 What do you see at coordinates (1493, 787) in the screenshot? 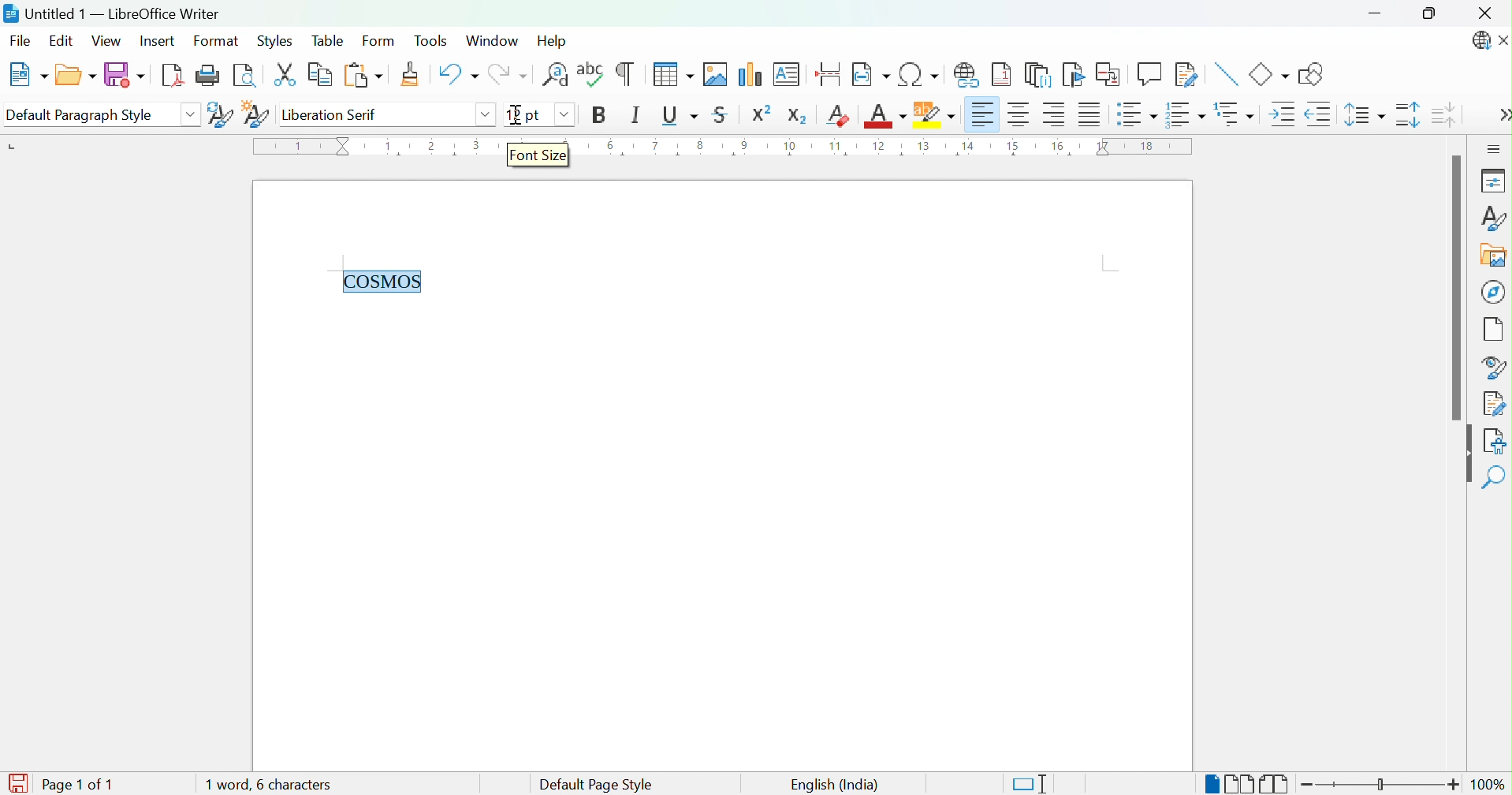
I see `100%` at bounding box center [1493, 787].